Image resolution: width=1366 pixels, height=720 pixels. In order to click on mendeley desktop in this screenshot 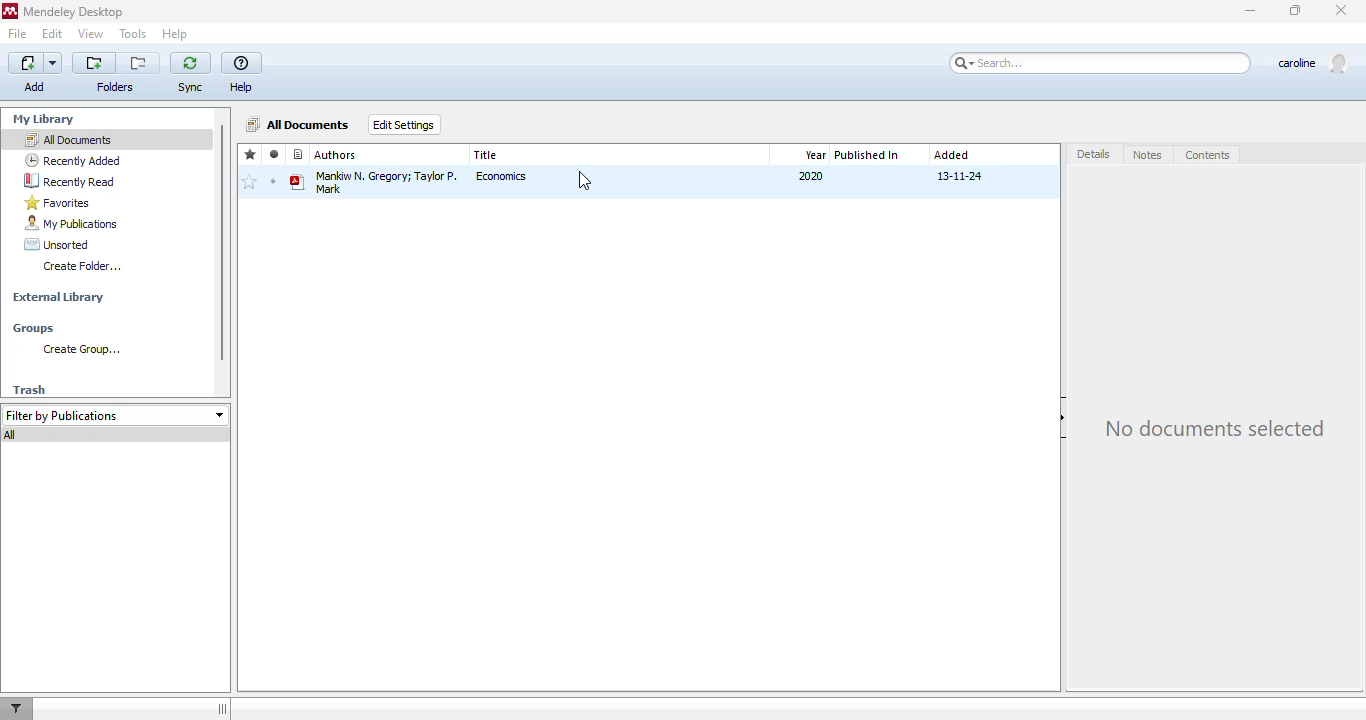, I will do `click(75, 11)`.